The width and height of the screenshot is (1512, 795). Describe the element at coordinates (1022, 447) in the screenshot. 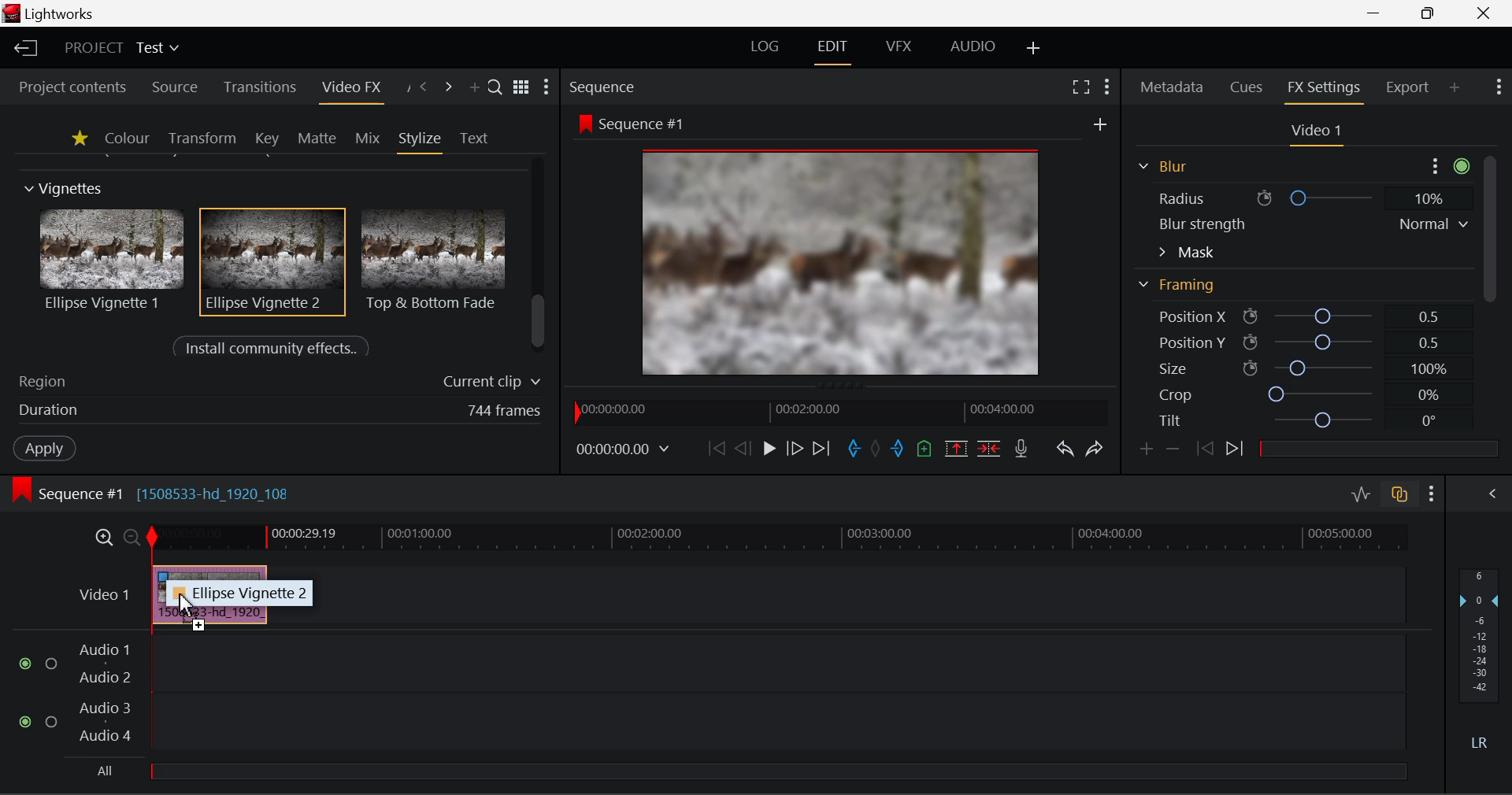

I see `Record Voiceover` at that location.